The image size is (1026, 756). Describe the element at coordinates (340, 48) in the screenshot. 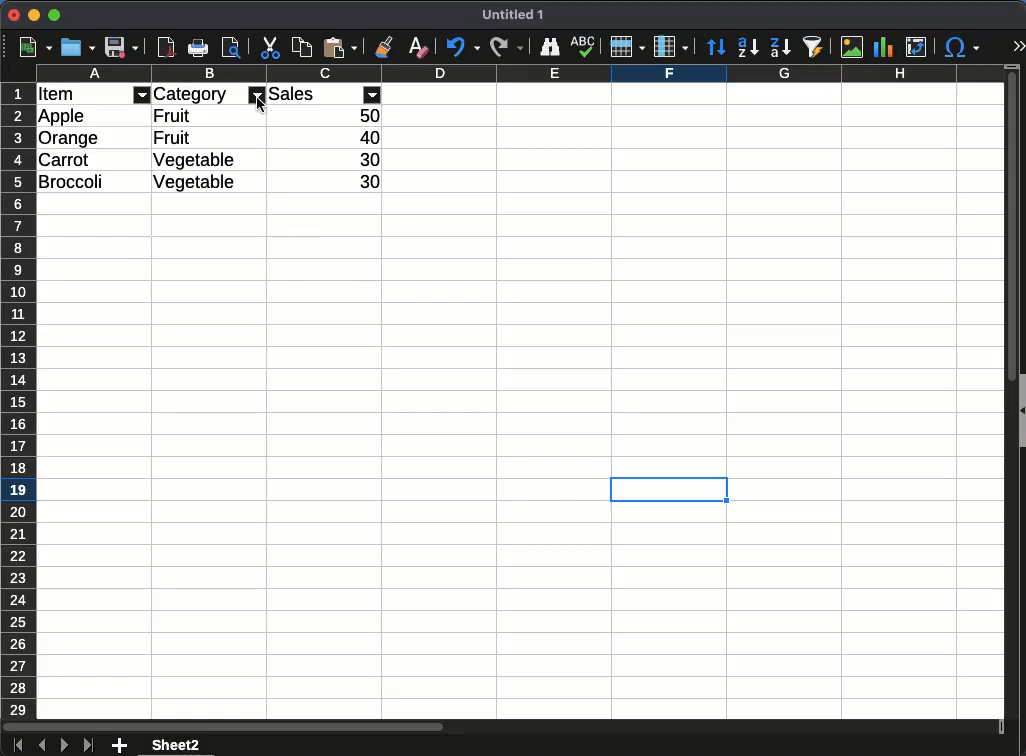

I see `paste` at that location.